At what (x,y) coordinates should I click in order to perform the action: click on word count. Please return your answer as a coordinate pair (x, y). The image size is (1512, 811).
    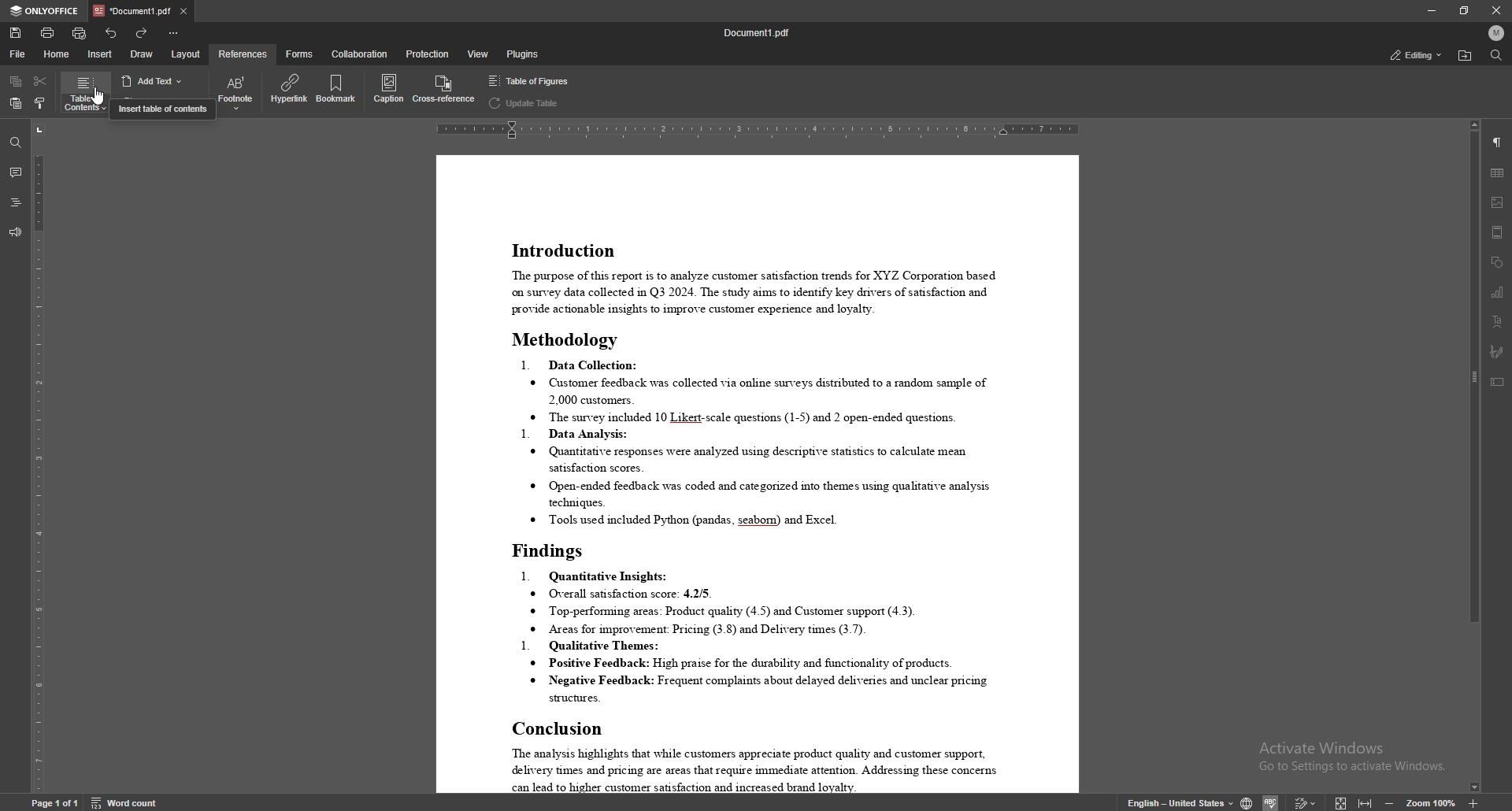
    Looking at the image, I should click on (125, 802).